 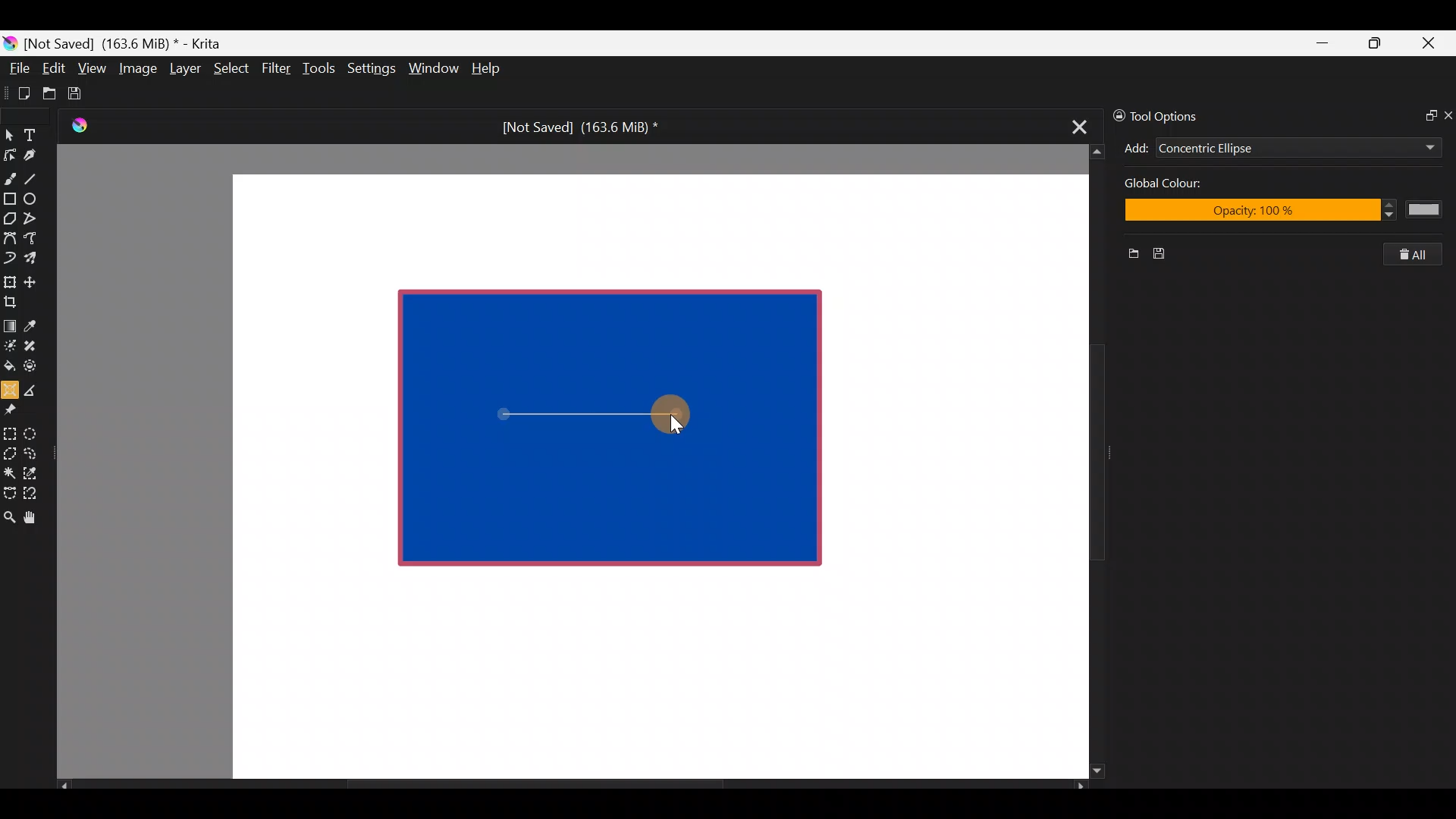 I want to click on File, so click(x=15, y=71).